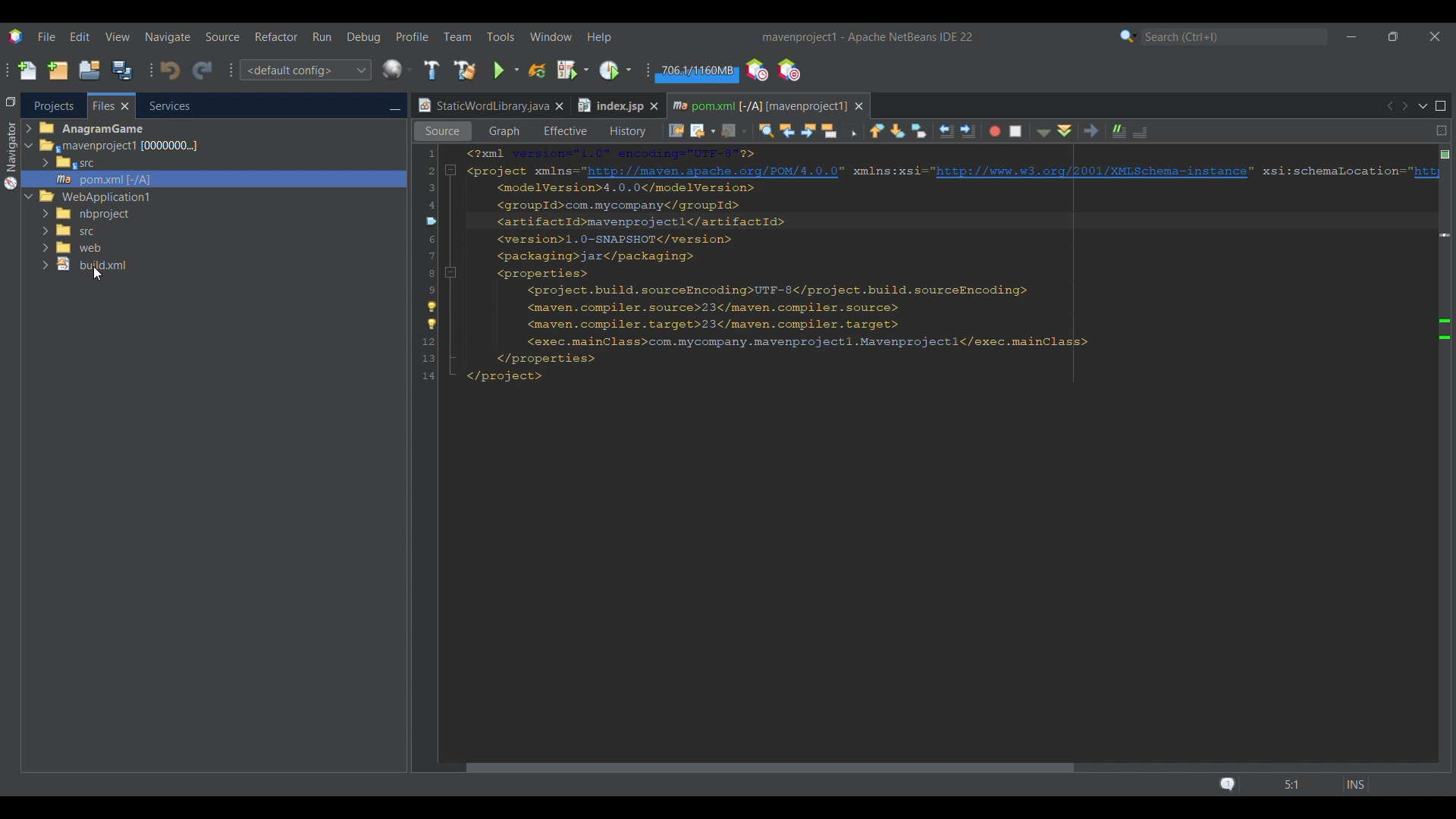 The height and width of the screenshot is (819, 1456). What do you see at coordinates (503, 131) in the screenshot?
I see `Graph view` at bounding box center [503, 131].